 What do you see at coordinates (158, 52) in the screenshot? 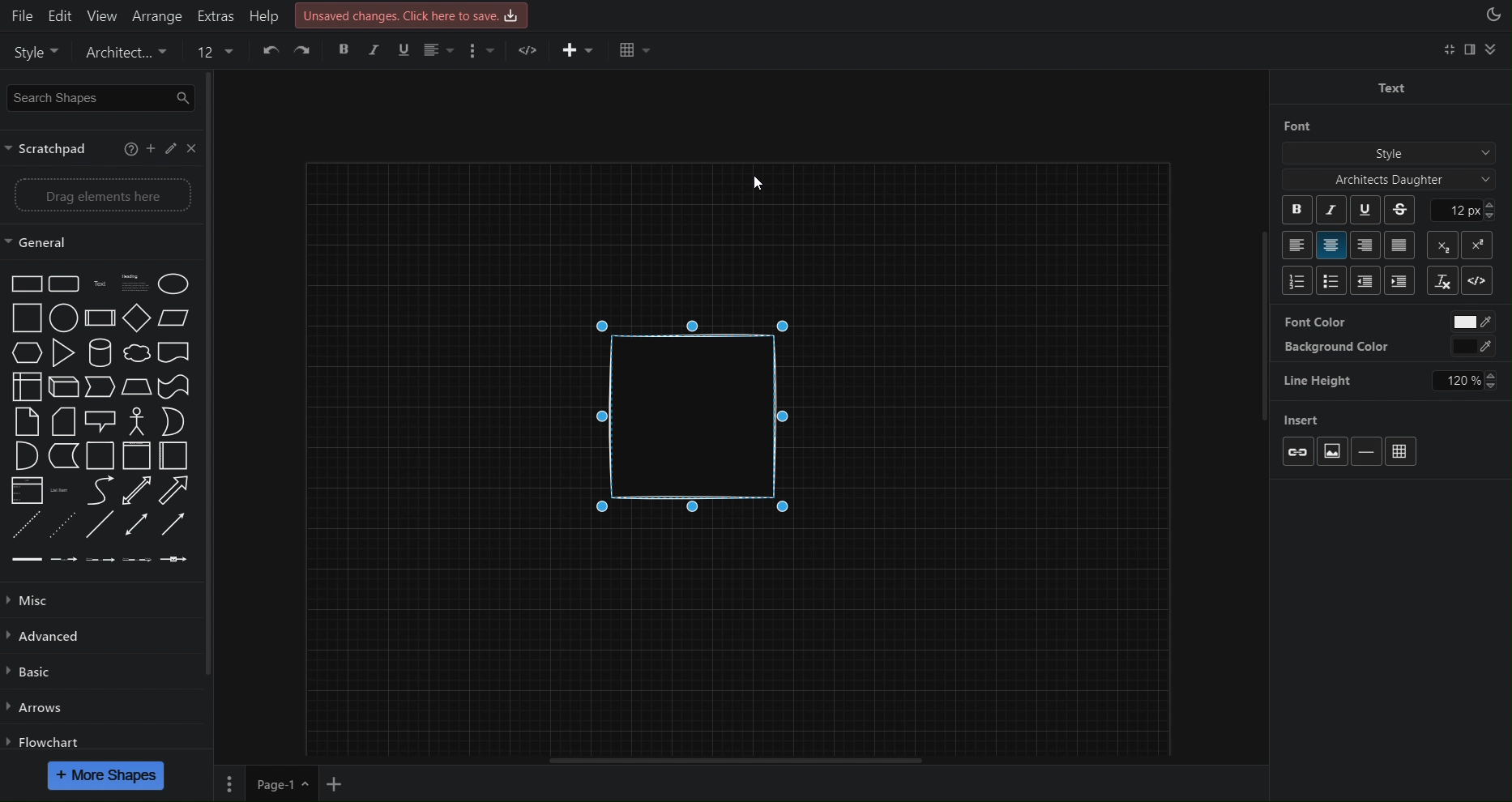
I see `Zoom In` at bounding box center [158, 52].